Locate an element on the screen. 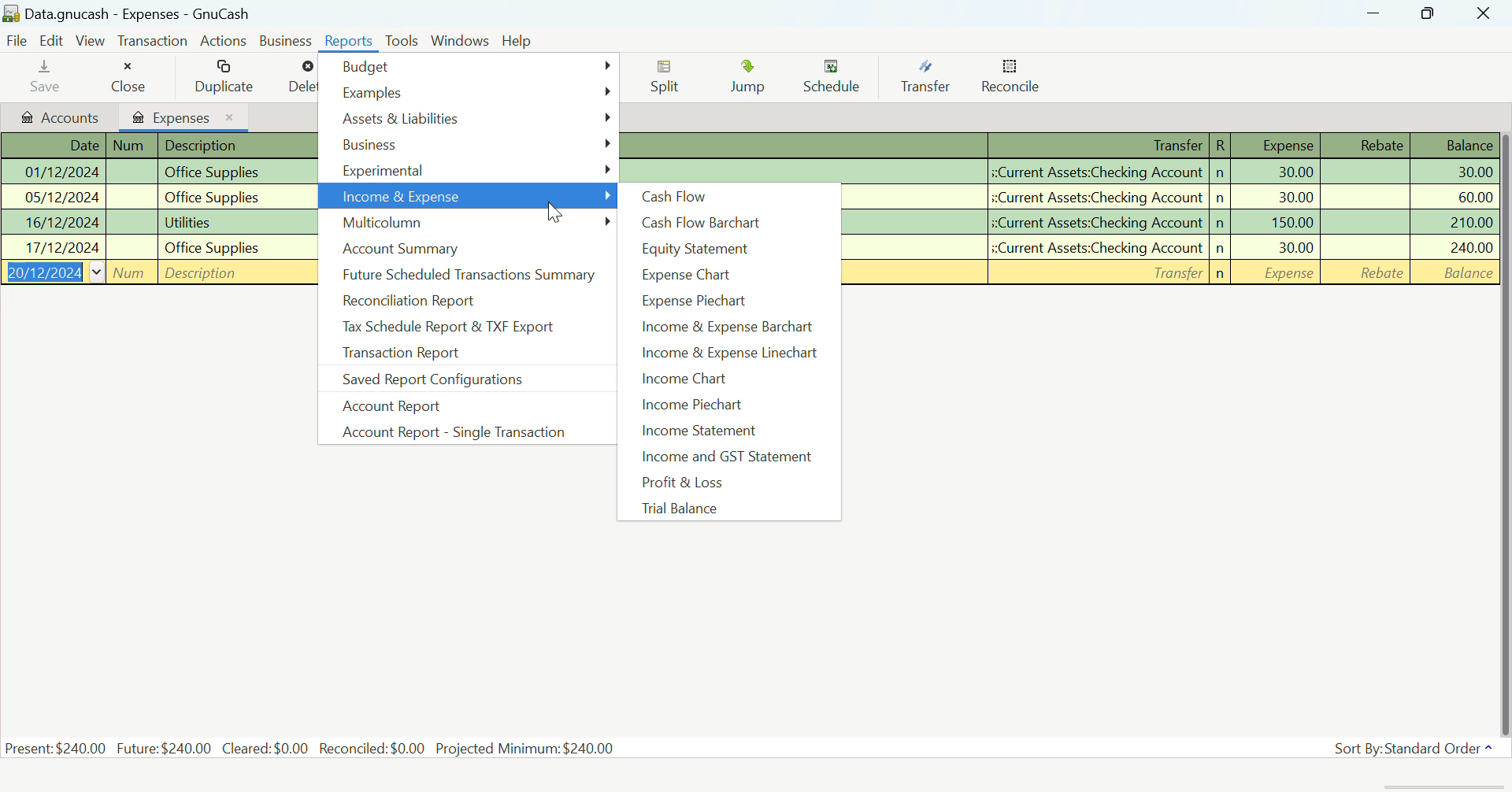 The image size is (1512, 792). Close Window is located at coordinates (1485, 13).